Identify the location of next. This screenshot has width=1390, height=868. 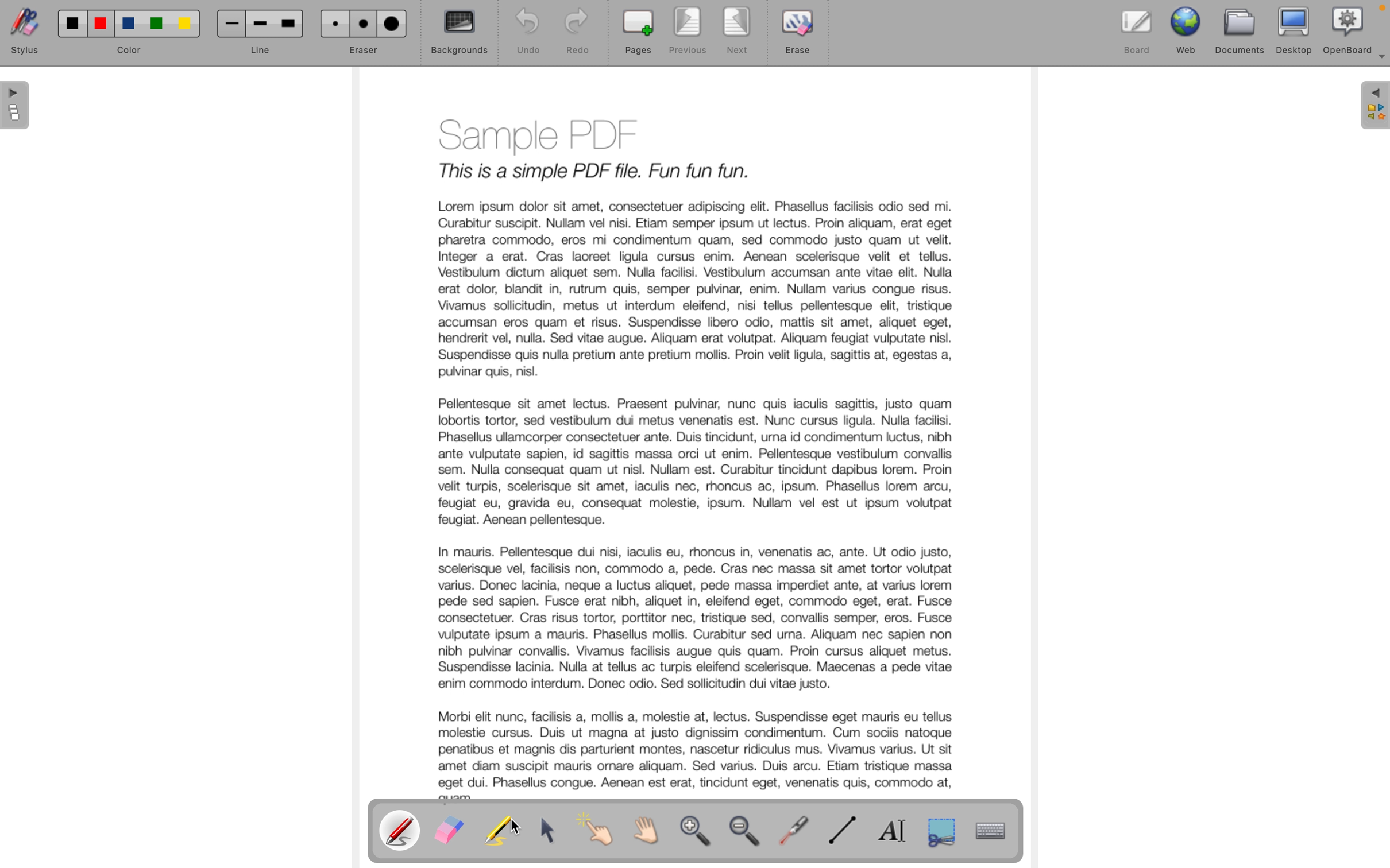
(738, 33).